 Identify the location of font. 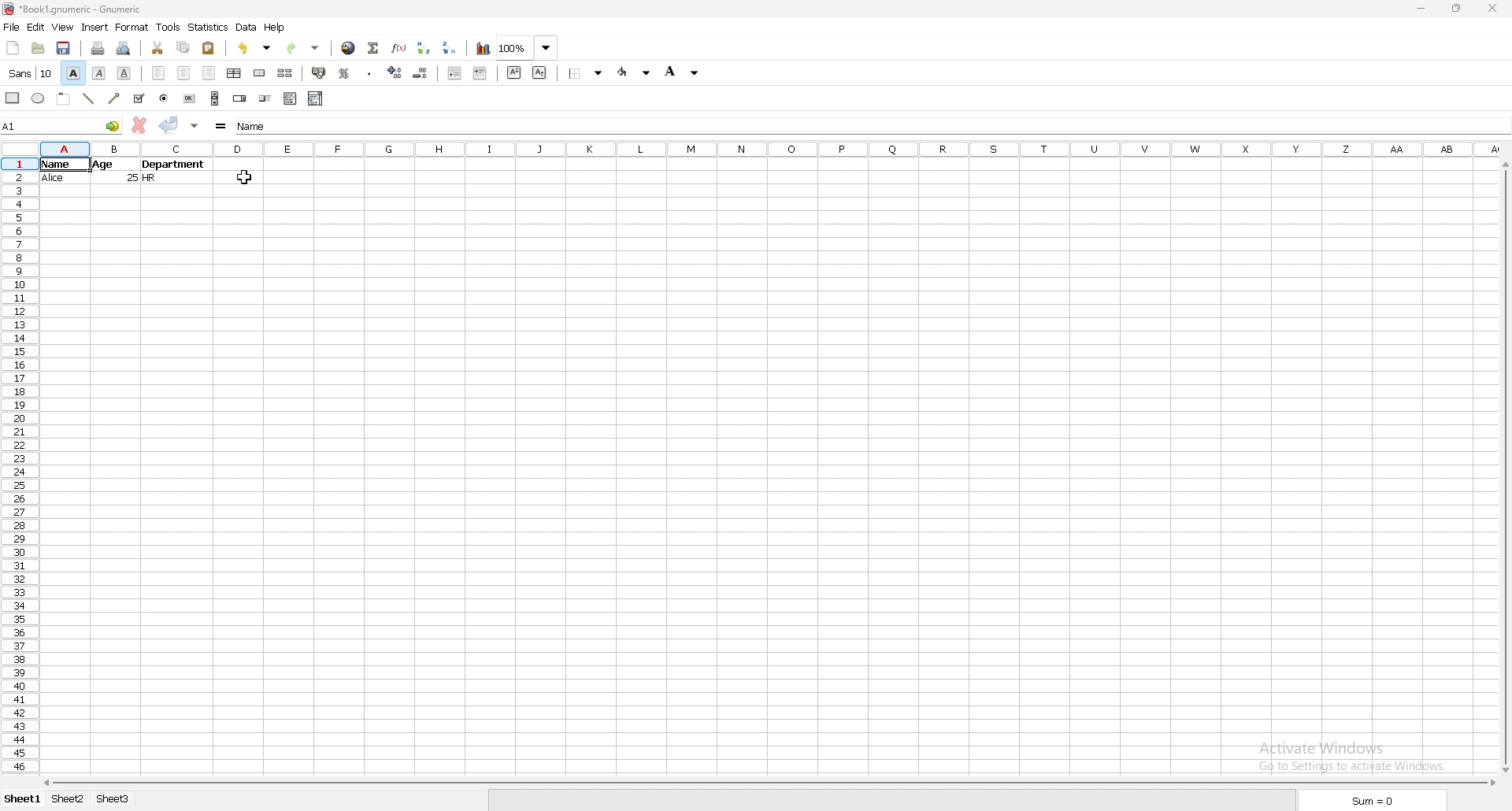
(30, 73).